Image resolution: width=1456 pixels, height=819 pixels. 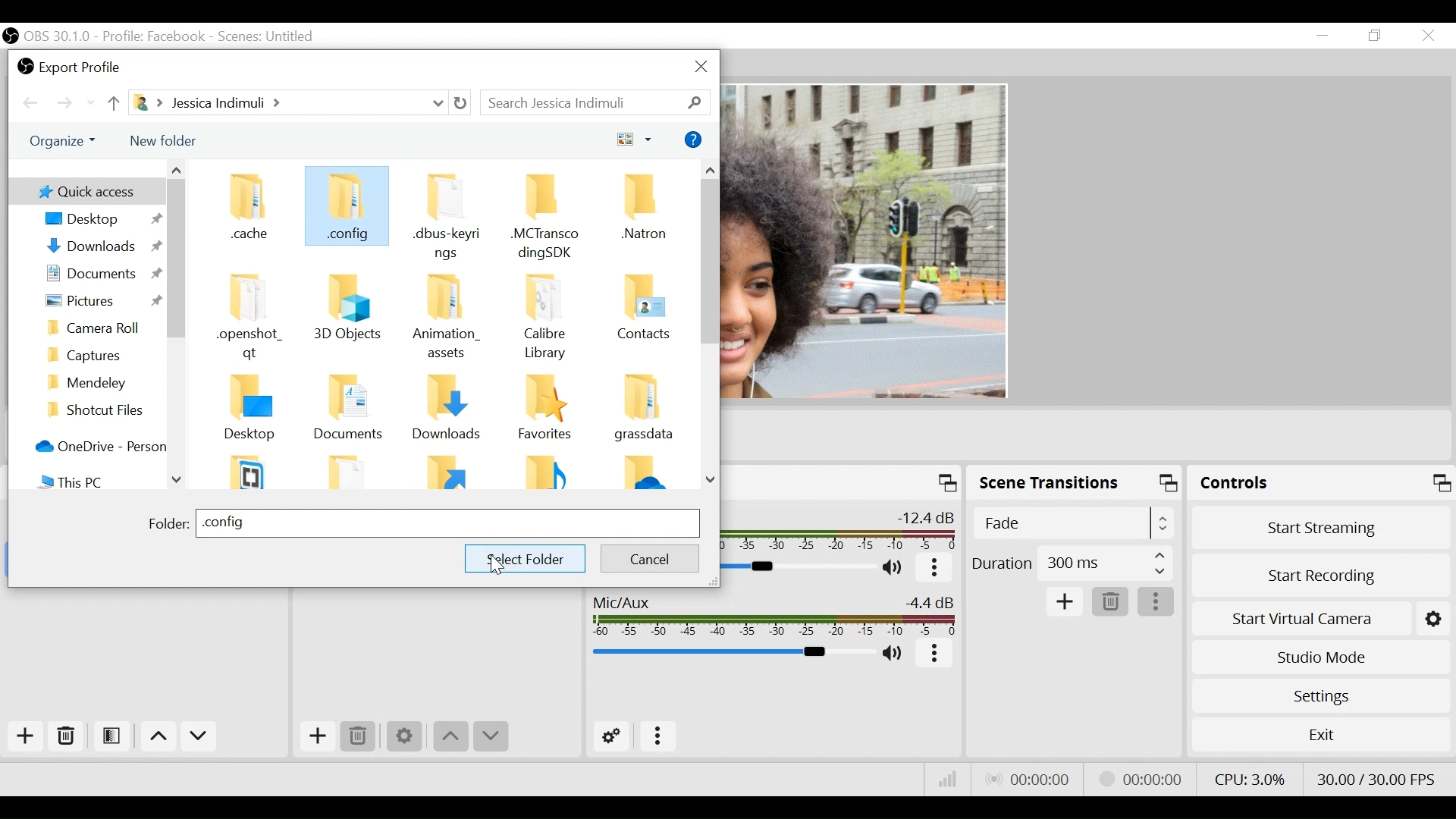 I want to click on Folder, so click(x=101, y=410).